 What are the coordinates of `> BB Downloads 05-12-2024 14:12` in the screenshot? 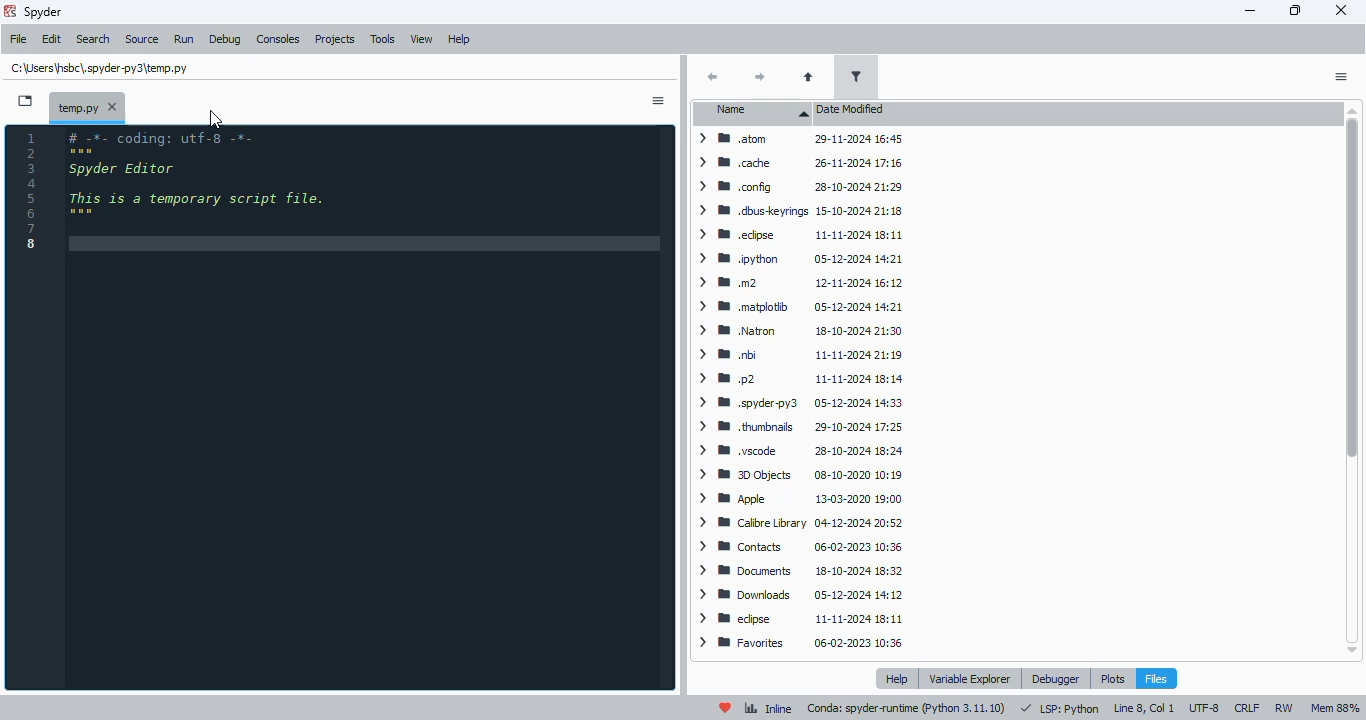 It's located at (798, 593).